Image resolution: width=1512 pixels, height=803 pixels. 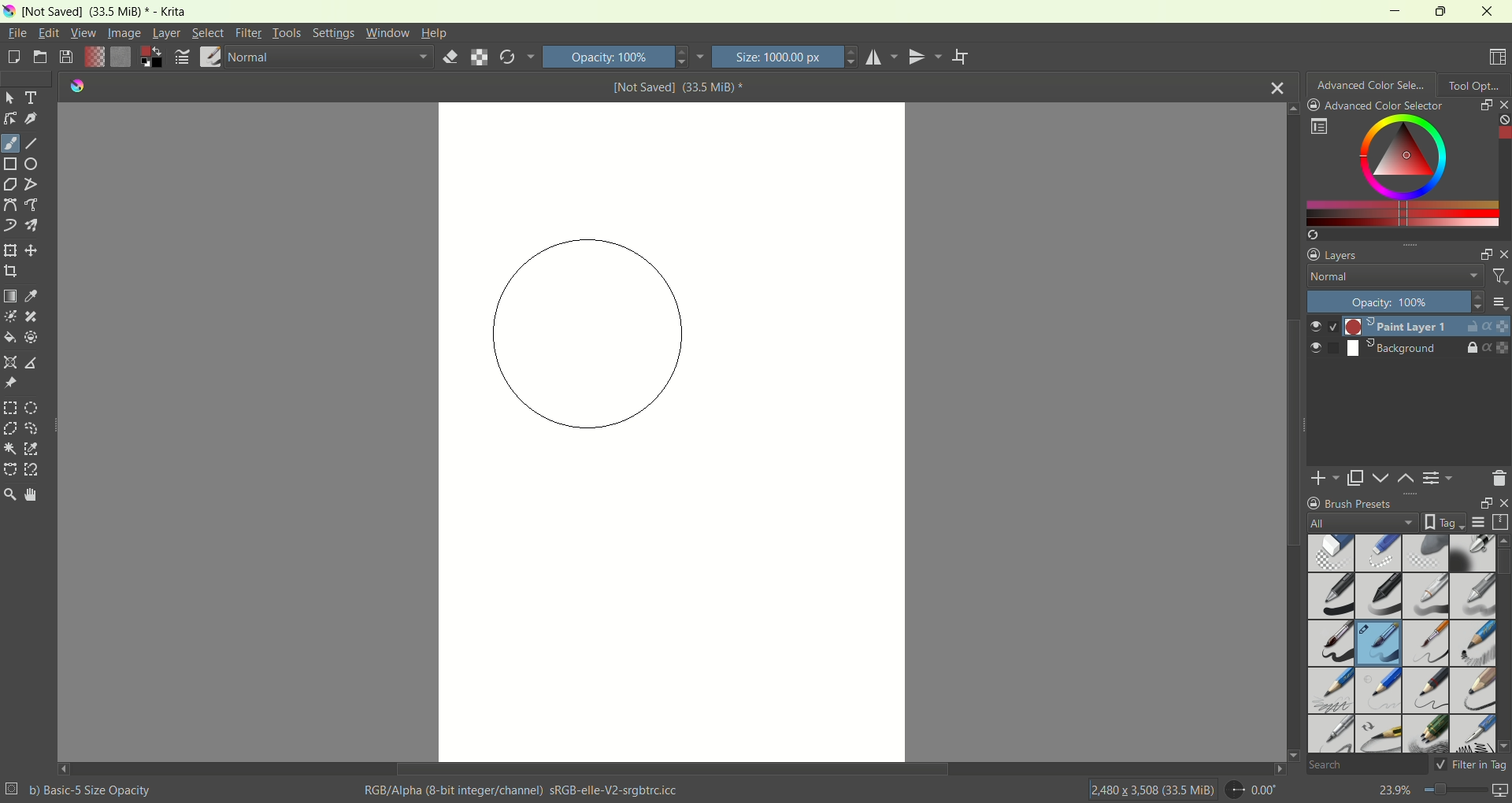 I want to click on close docker, so click(x=1503, y=104).